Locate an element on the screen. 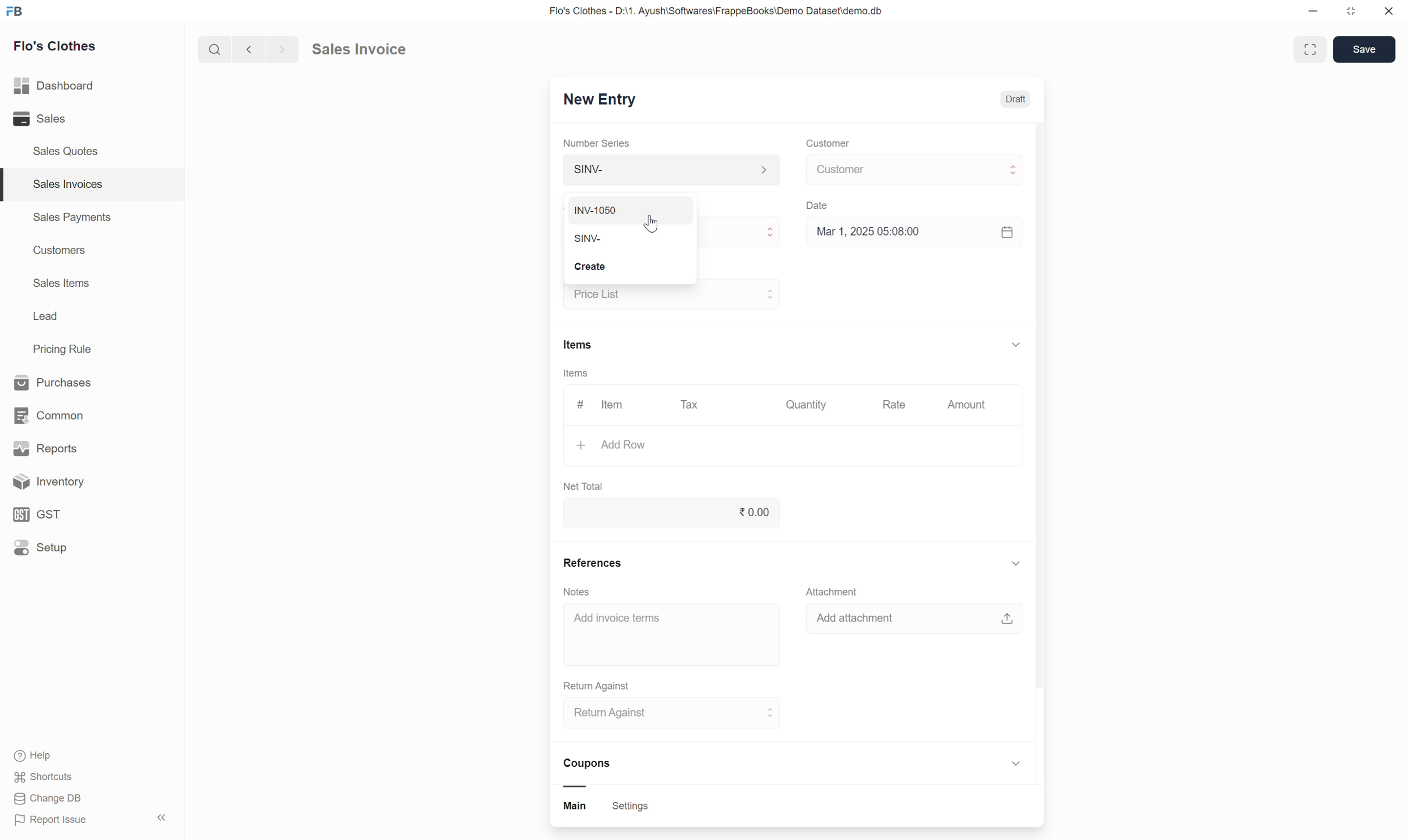  select price list  is located at coordinates (671, 294).